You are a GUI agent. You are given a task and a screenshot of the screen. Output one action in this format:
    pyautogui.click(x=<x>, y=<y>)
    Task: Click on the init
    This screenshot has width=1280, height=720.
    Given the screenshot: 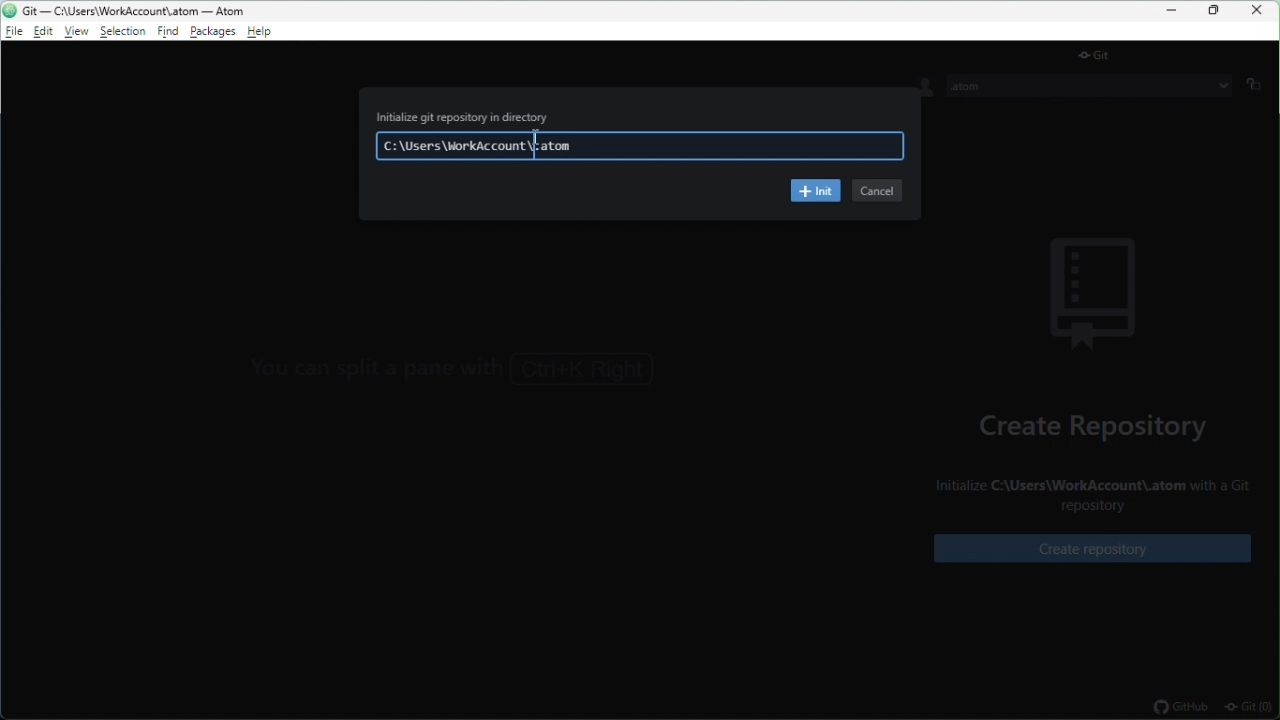 What is the action you would take?
    pyautogui.click(x=817, y=192)
    